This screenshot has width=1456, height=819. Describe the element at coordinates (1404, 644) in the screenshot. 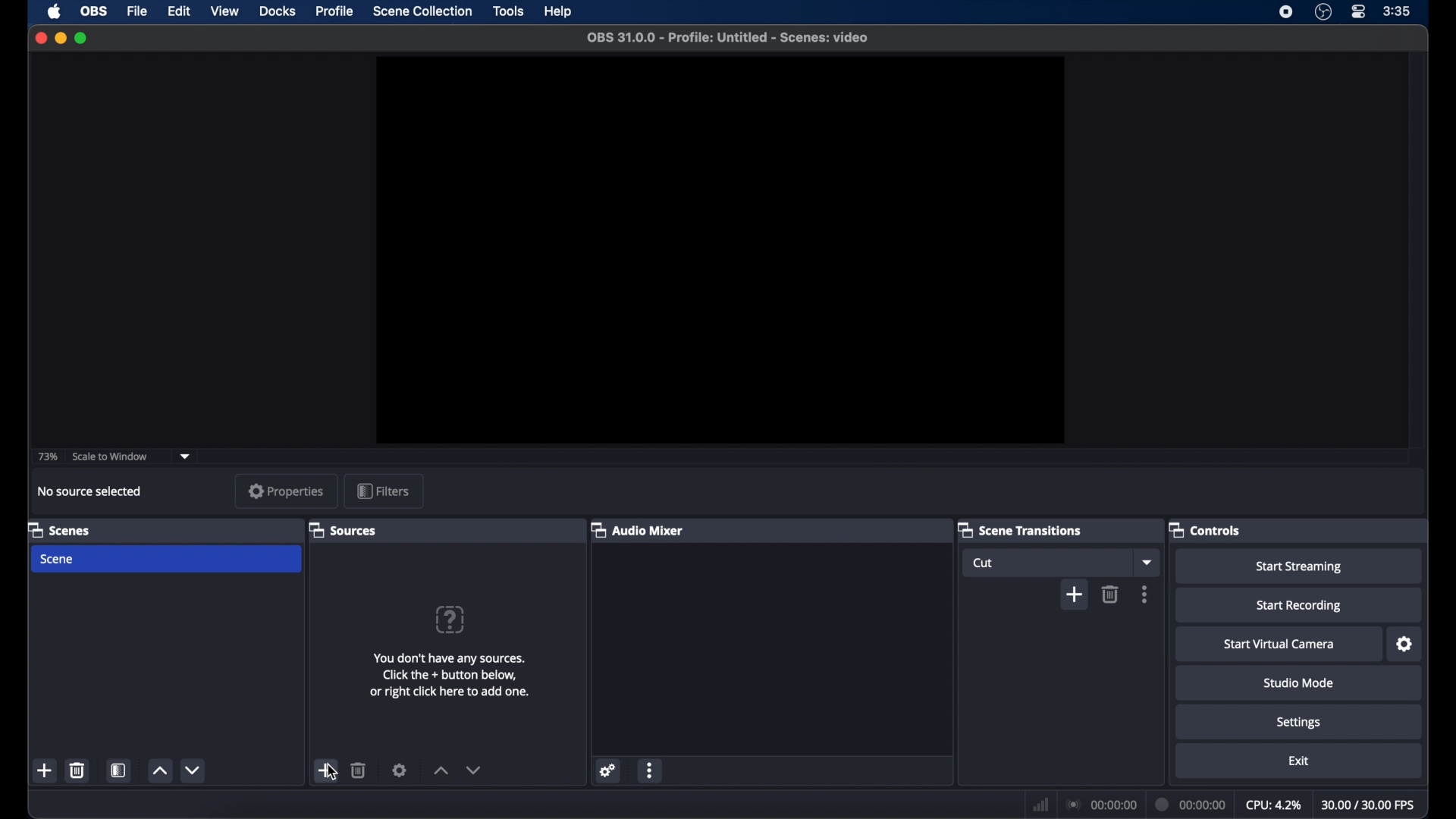

I see `settings` at that location.